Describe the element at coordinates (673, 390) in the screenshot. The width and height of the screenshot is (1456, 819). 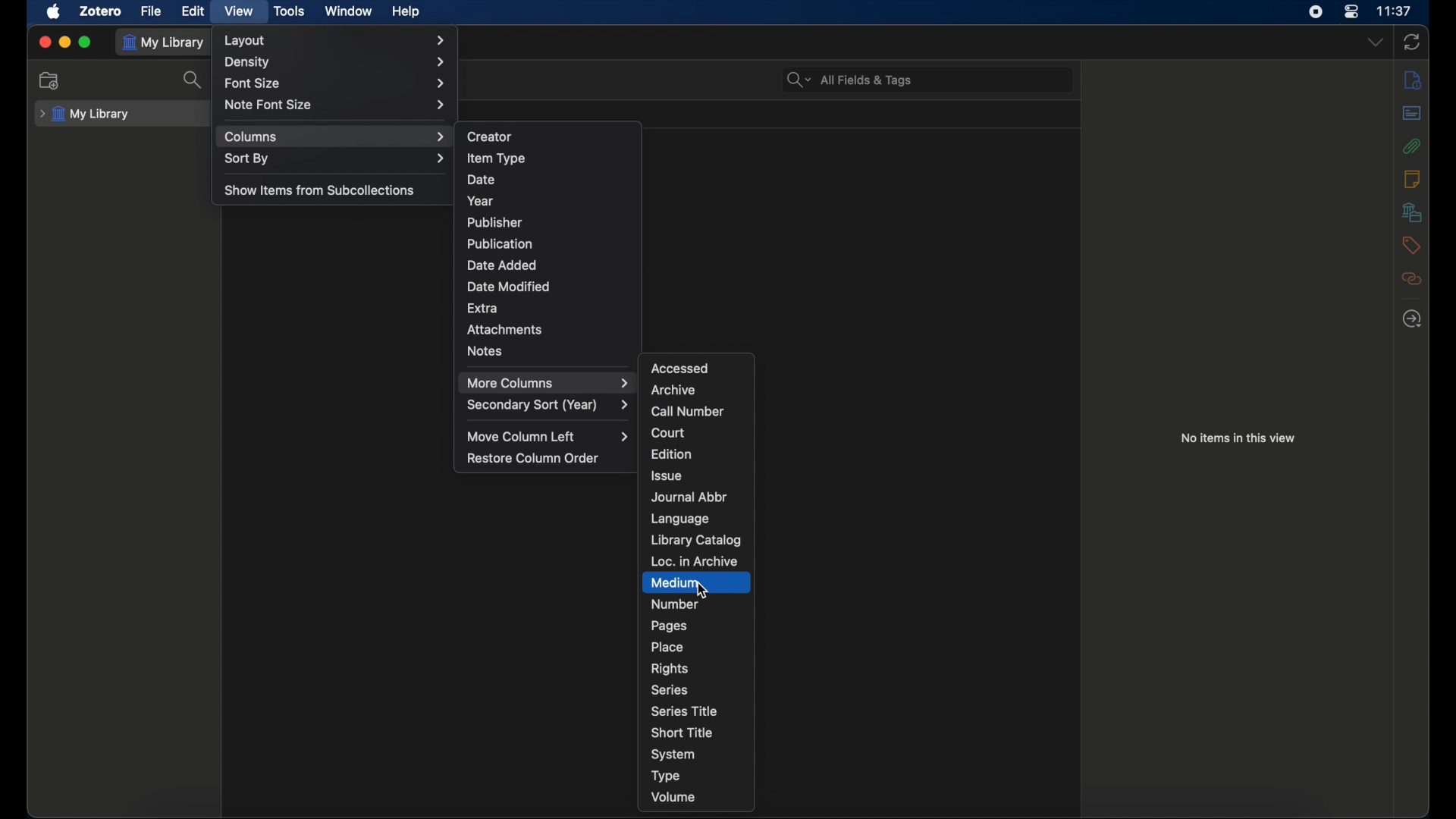
I see `archive` at that location.